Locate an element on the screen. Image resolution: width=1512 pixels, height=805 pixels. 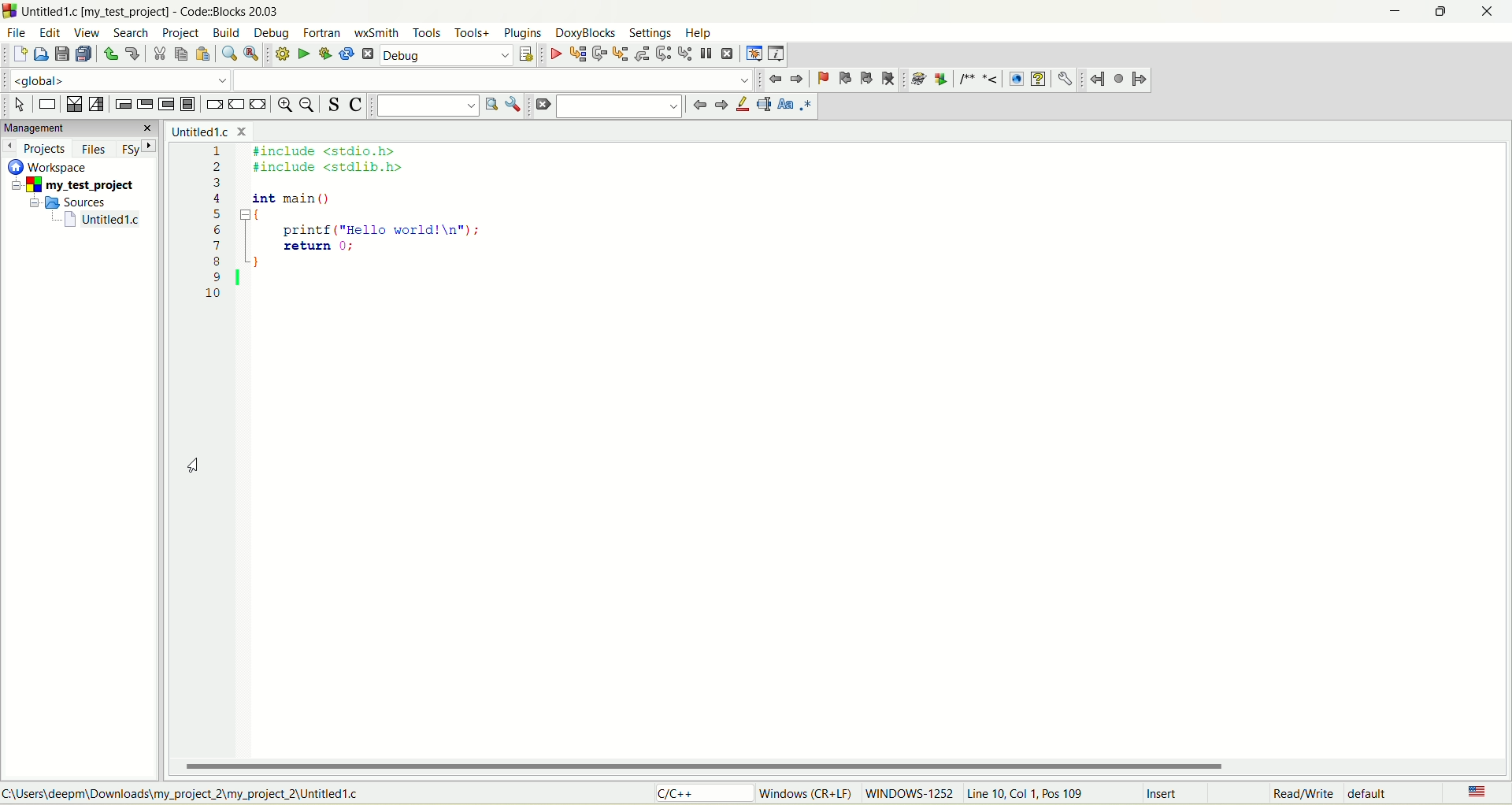
continue instruction is located at coordinates (235, 104).